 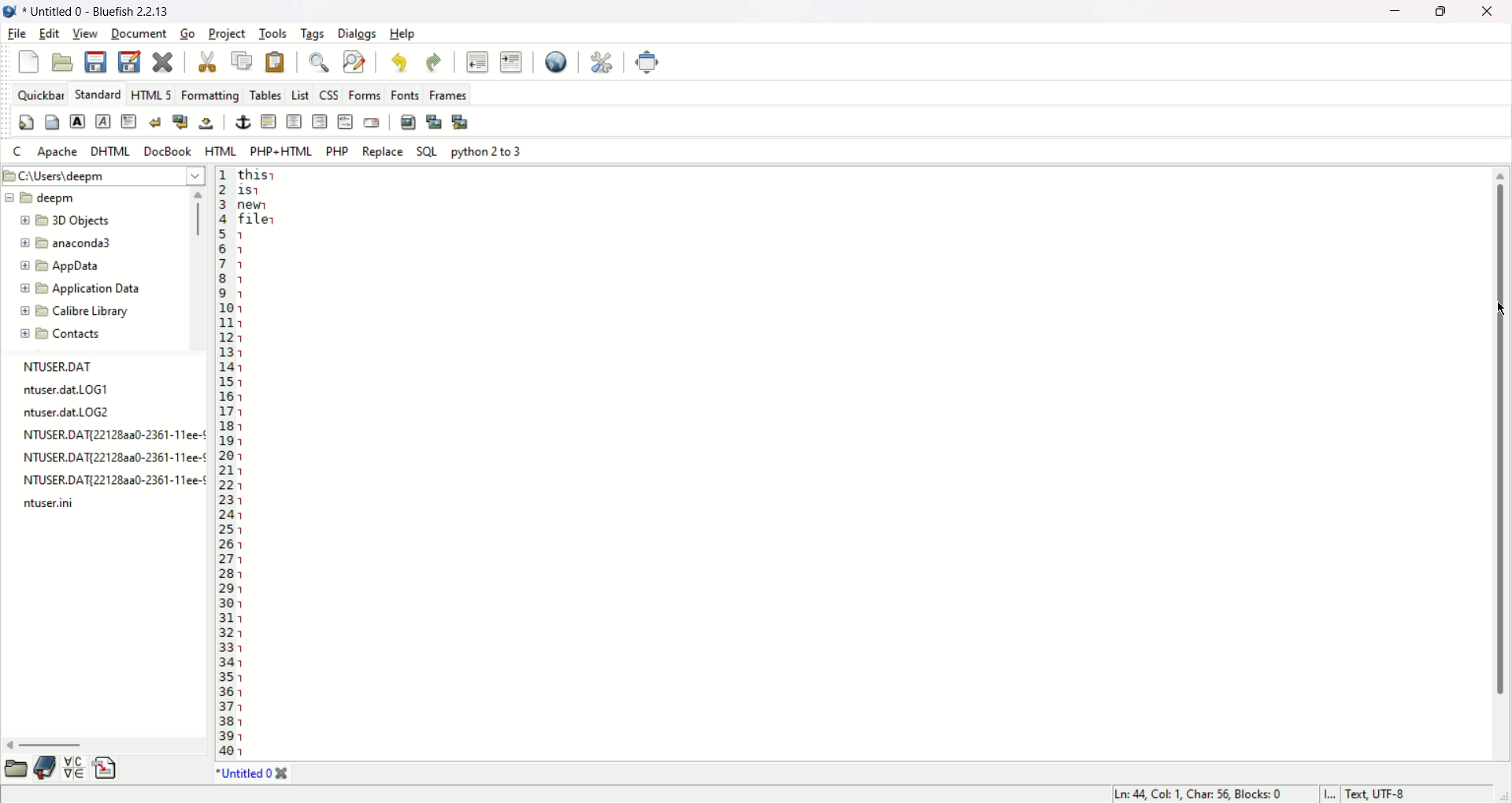 What do you see at coordinates (27, 62) in the screenshot?
I see `new file` at bounding box center [27, 62].